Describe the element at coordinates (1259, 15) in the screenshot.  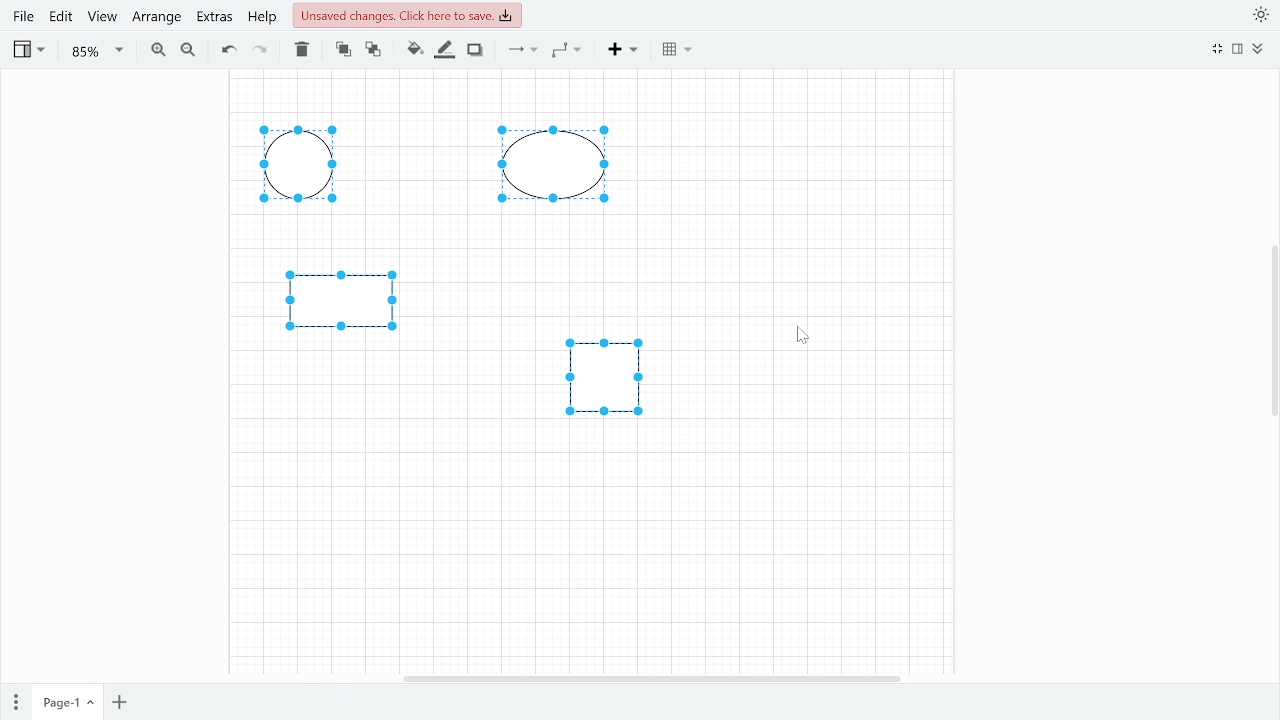
I see `Appearance` at that location.